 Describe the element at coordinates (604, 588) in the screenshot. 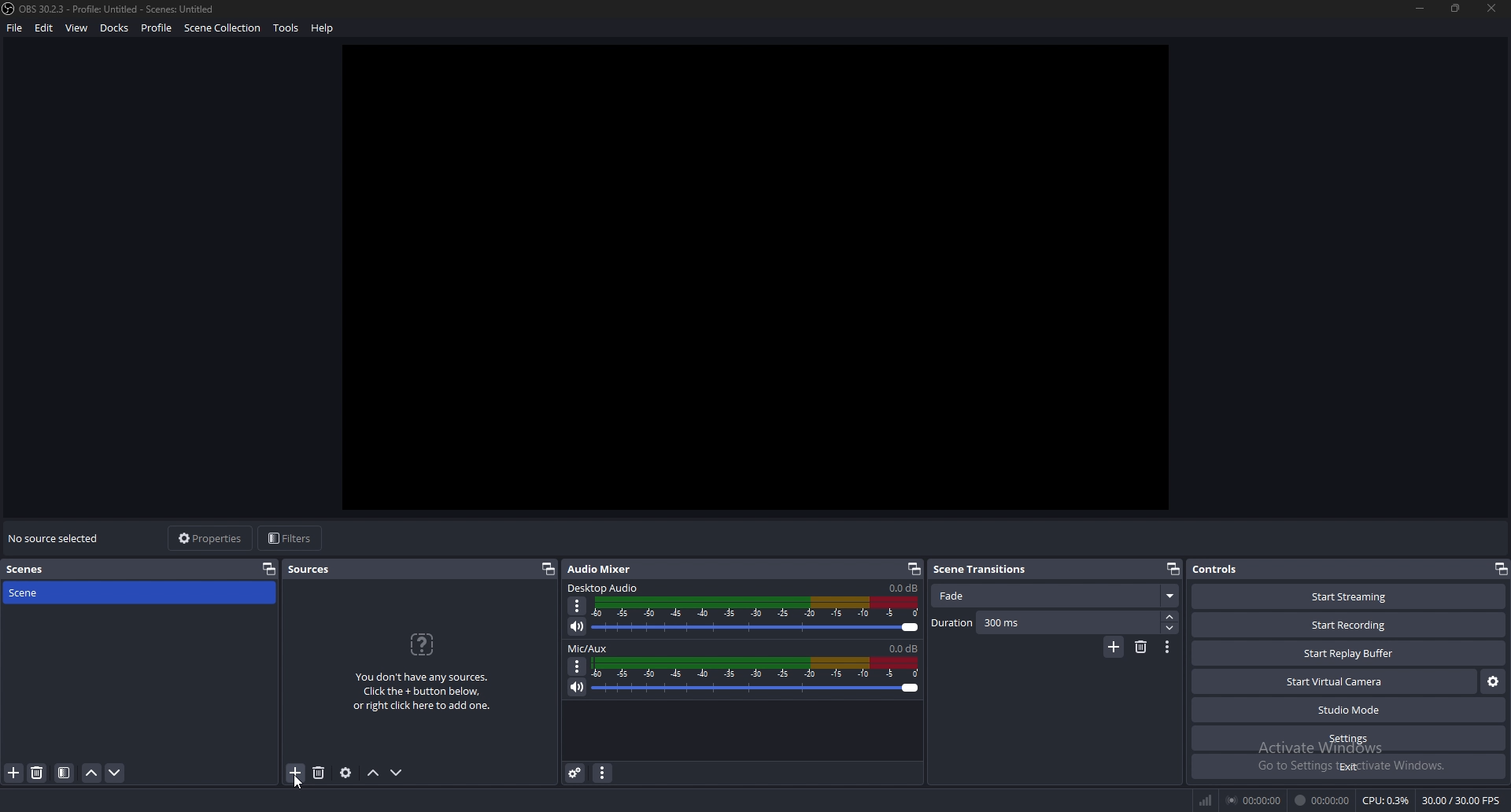

I see `desktop audio` at that location.